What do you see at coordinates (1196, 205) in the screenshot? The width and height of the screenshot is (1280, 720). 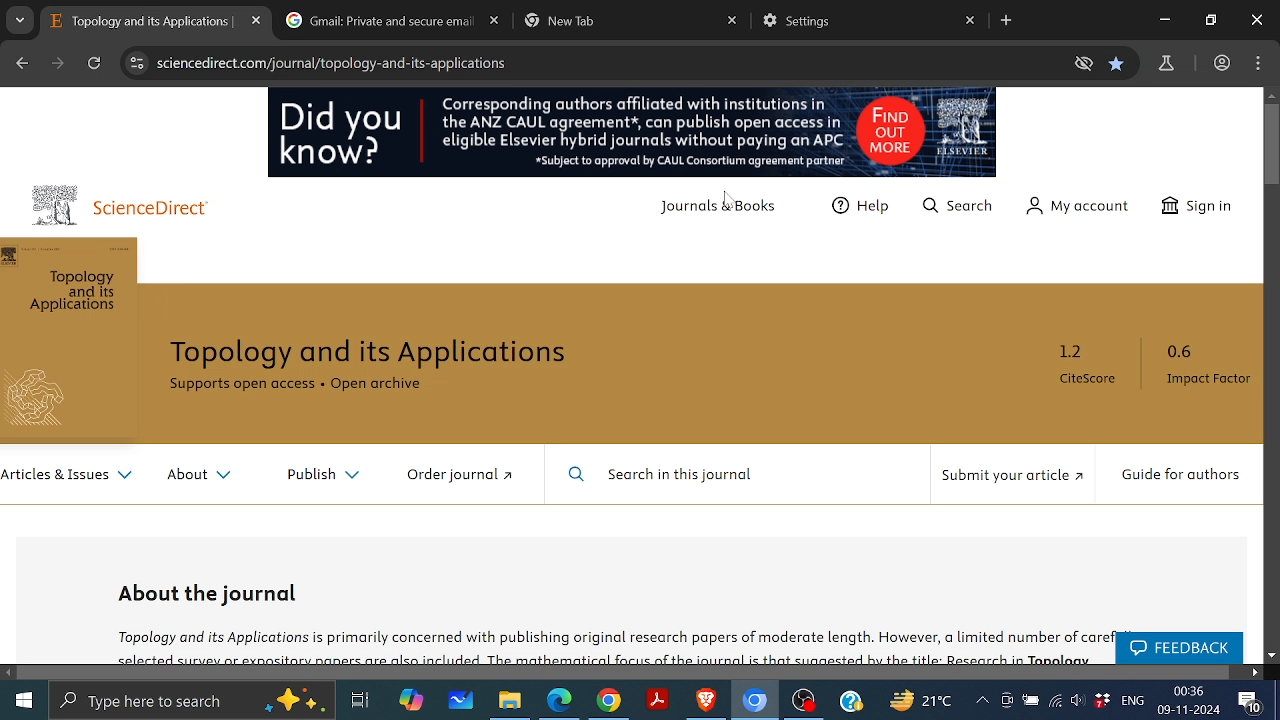 I see `Sign in` at bounding box center [1196, 205].